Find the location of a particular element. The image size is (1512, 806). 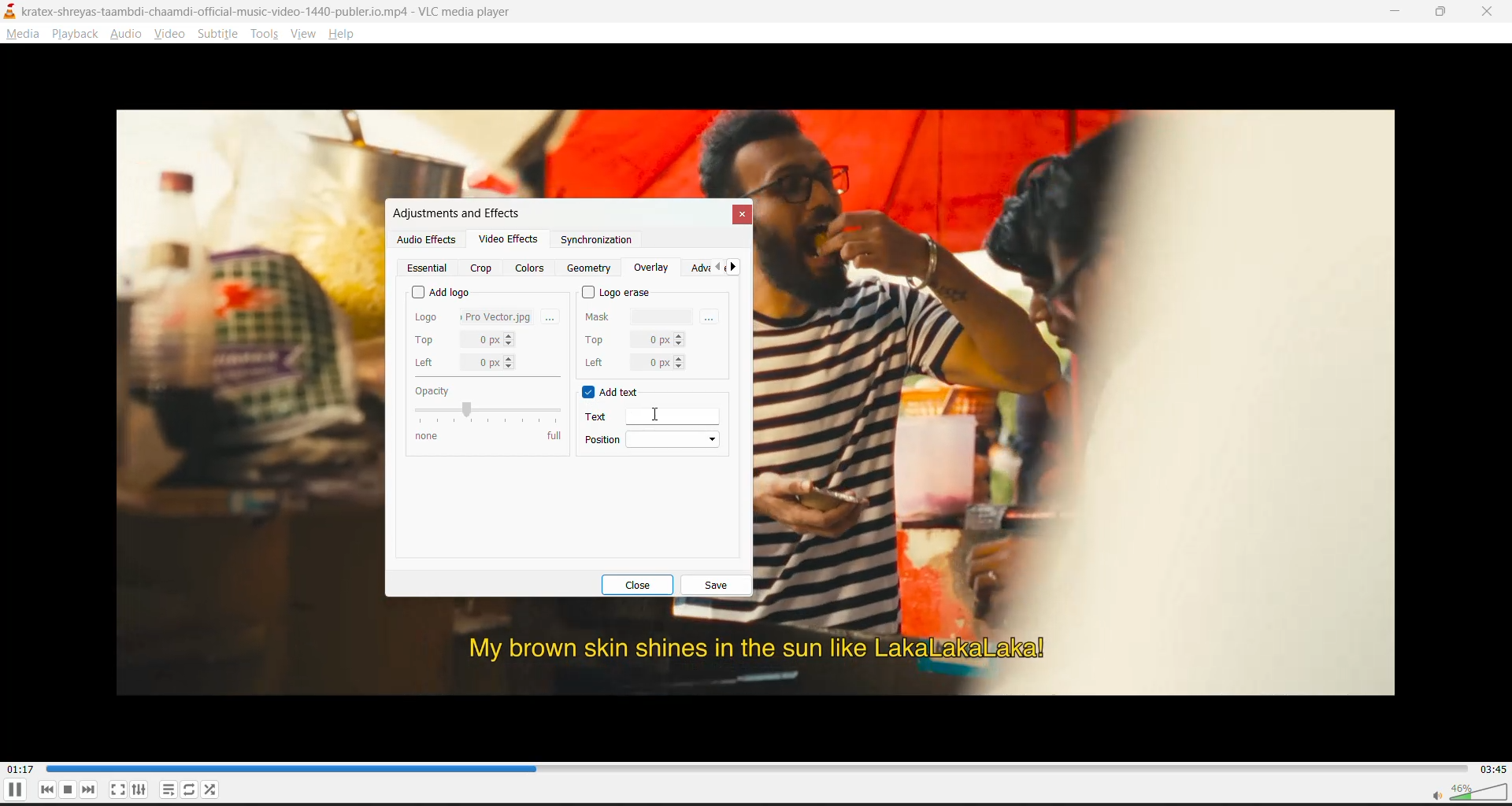

video is located at coordinates (173, 35).